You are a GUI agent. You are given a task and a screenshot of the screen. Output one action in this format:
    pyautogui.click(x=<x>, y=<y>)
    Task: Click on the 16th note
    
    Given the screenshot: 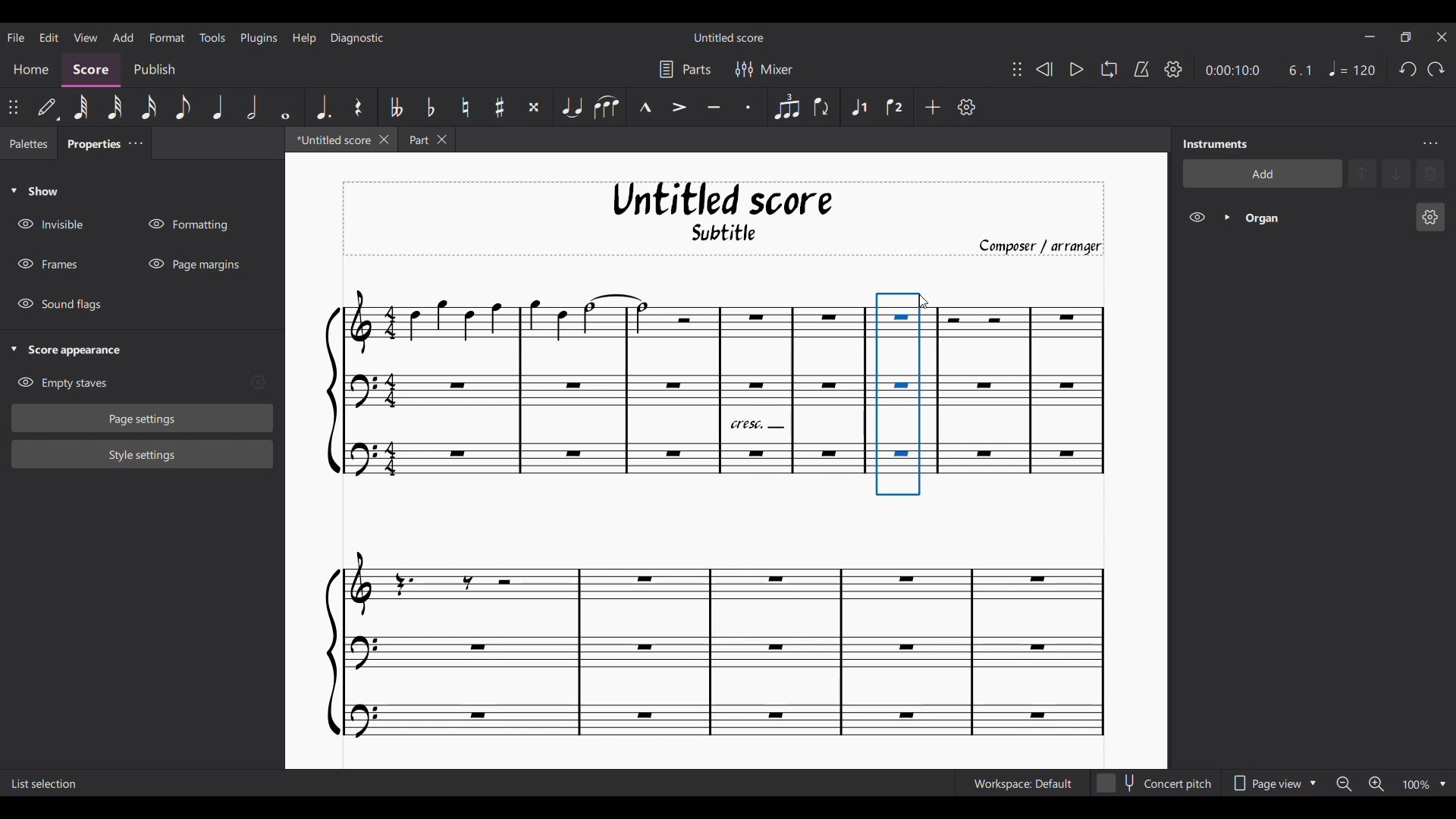 What is the action you would take?
    pyautogui.click(x=149, y=108)
    